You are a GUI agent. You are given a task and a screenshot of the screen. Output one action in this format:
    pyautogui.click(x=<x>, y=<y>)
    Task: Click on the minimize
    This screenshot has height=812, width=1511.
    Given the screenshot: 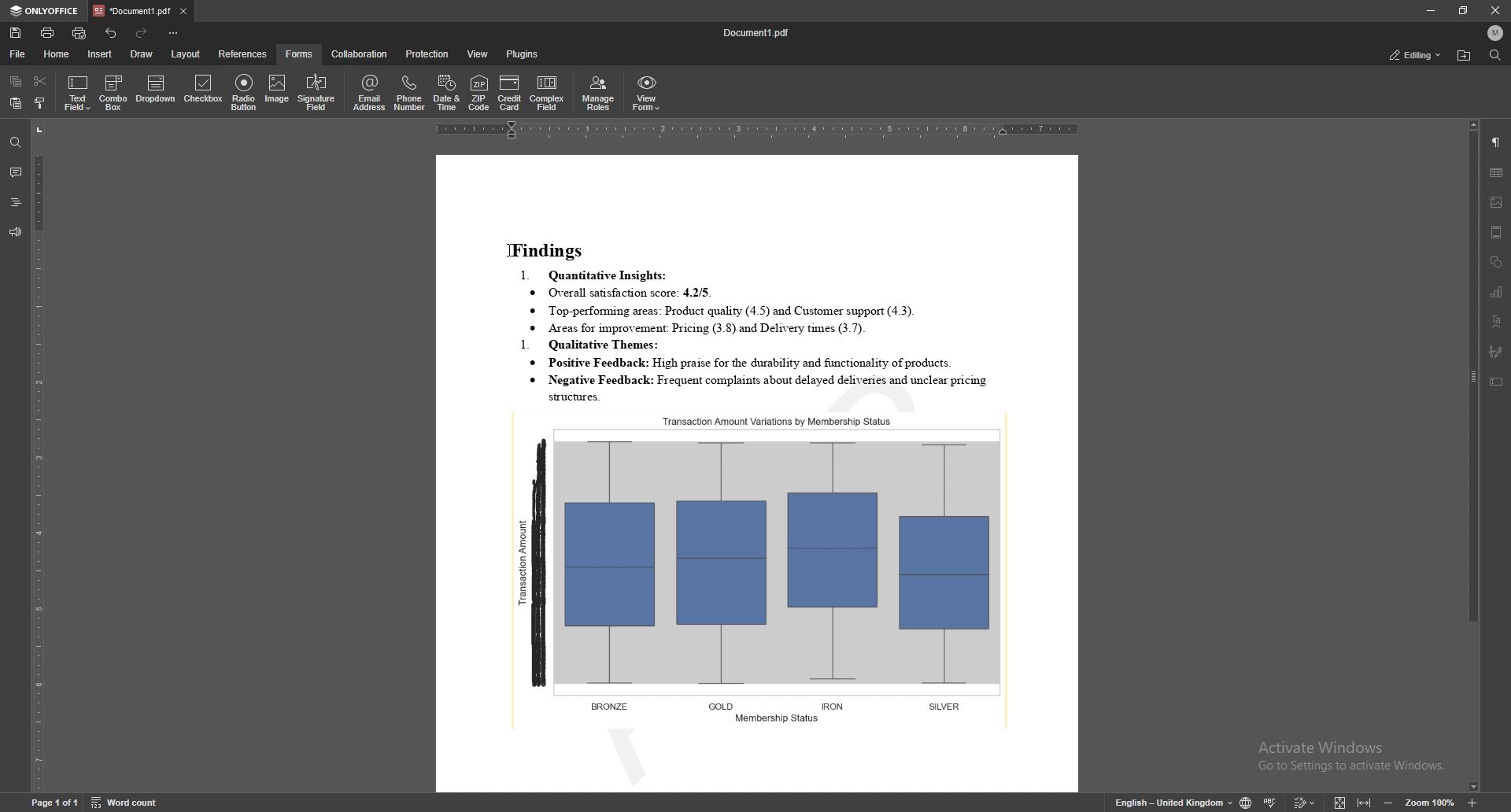 What is the action you would take?
    pyautogui.click(x=1429, y=10)
    